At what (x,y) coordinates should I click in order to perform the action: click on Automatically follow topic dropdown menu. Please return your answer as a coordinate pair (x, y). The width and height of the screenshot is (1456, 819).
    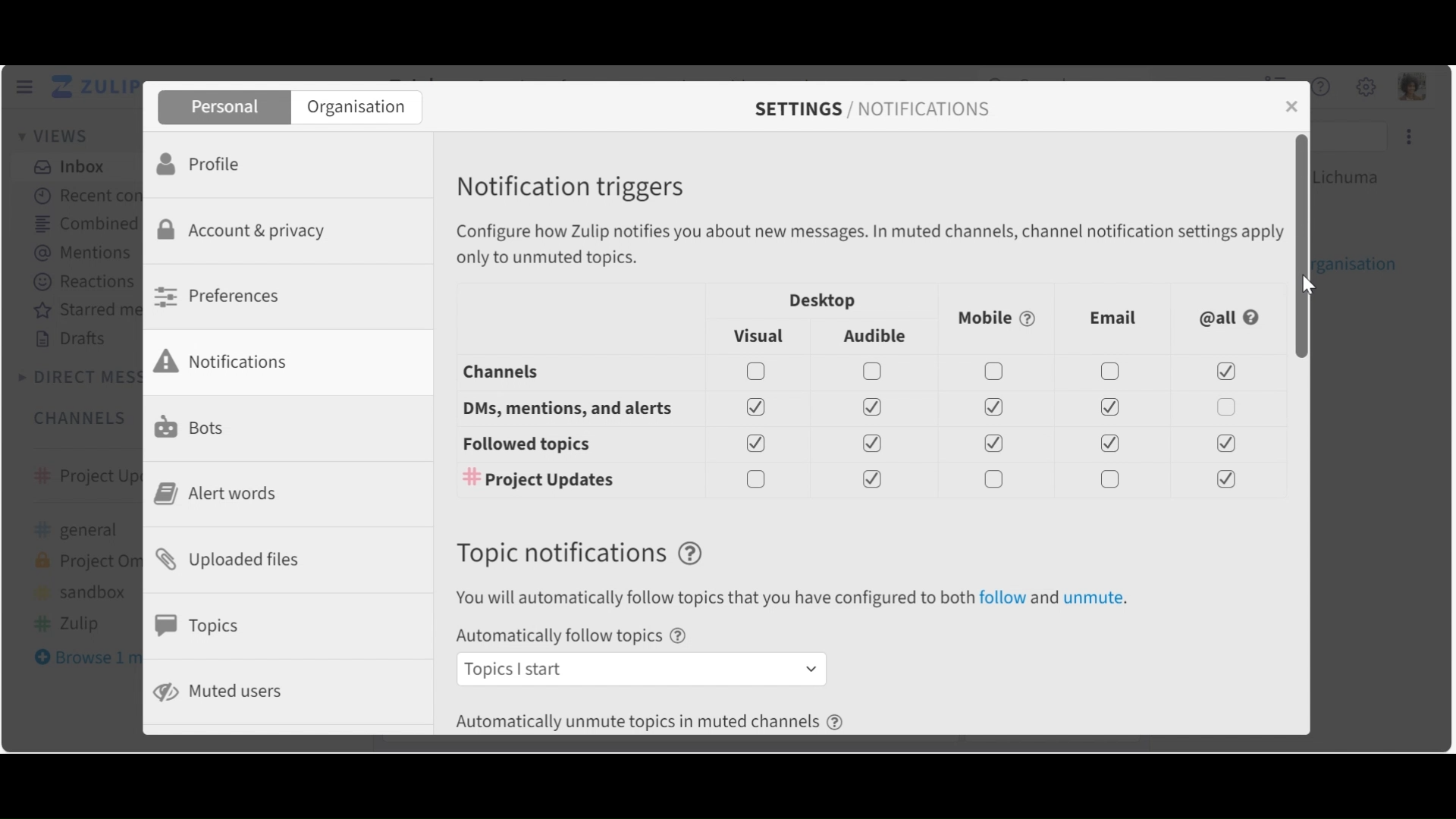
    Looking at the image, I should click on (640, 669).